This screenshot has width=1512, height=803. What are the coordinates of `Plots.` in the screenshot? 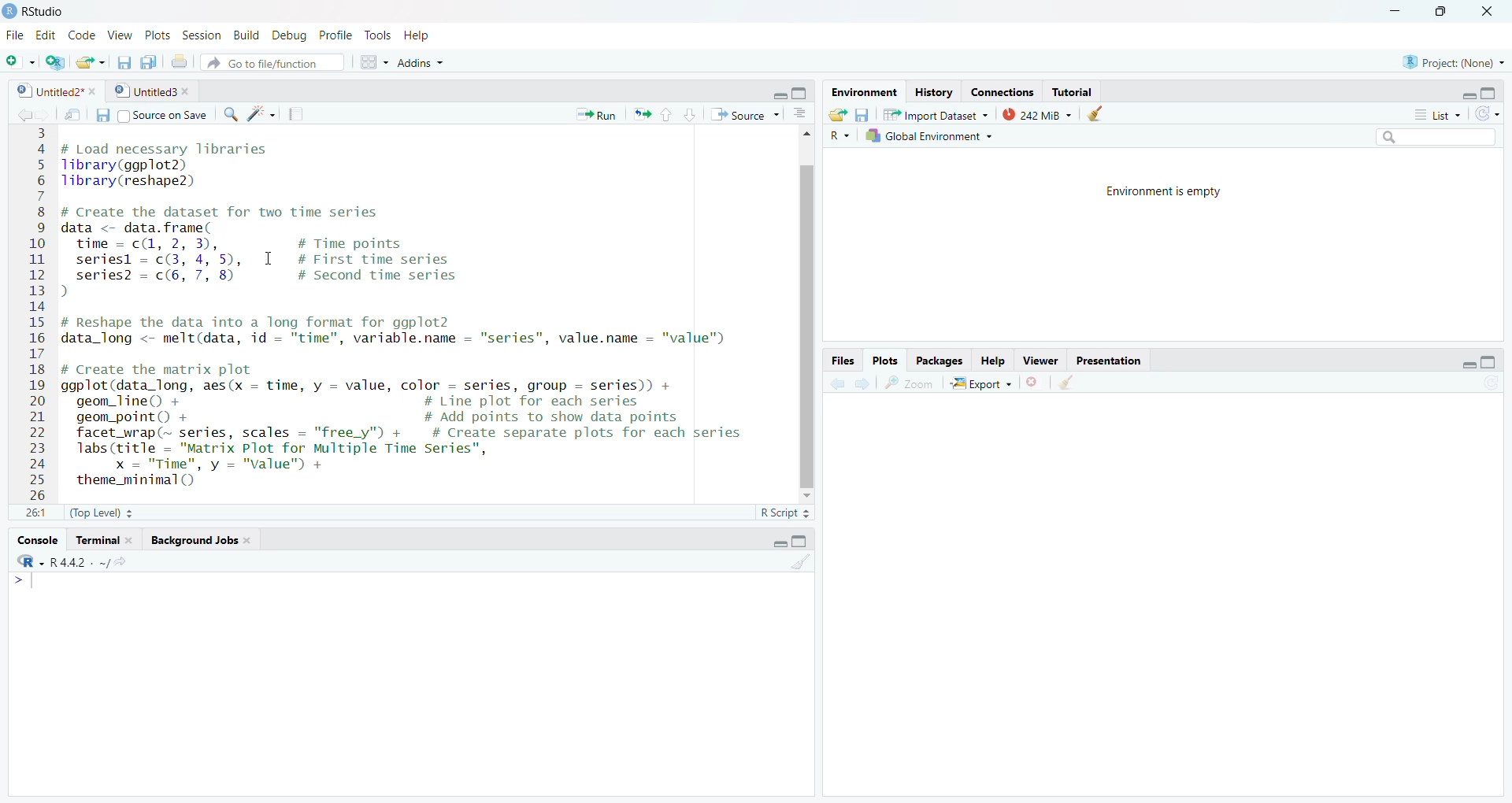 It's located at (885, 360).